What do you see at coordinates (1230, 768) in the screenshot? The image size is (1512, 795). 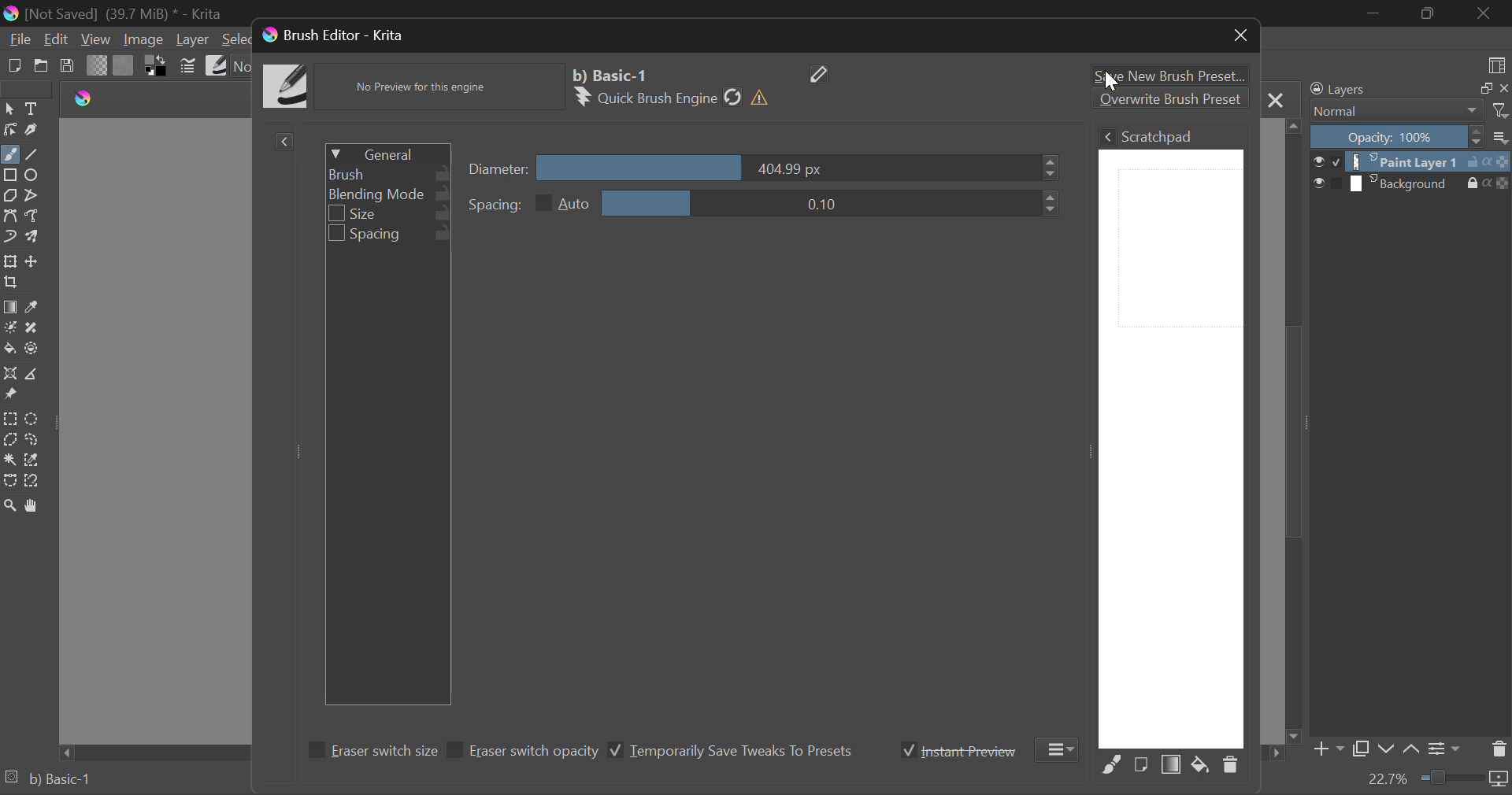 I see `Delete` at bounding box center [1230, 768].